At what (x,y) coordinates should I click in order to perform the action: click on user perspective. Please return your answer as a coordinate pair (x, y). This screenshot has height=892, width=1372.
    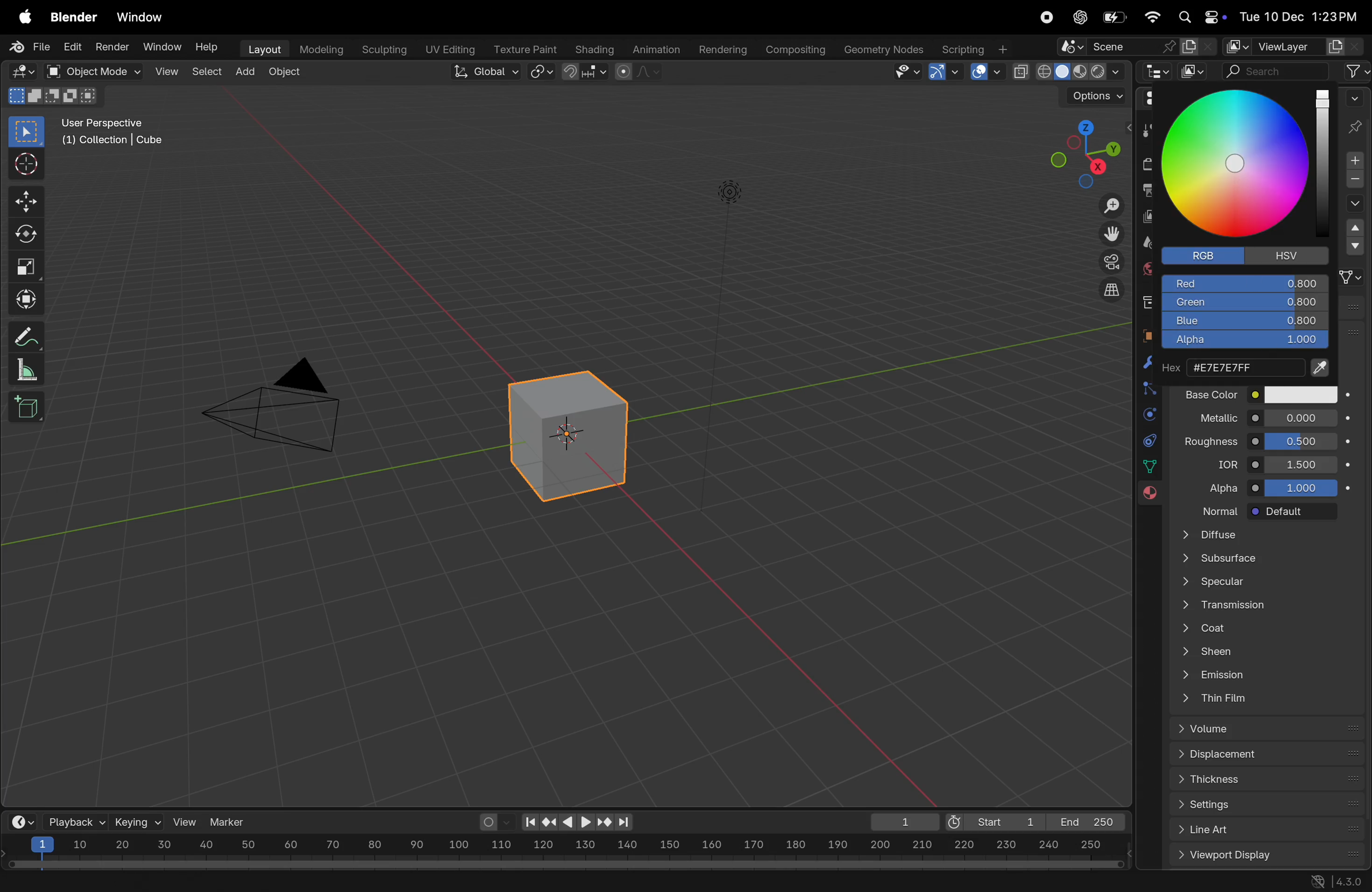
    Looking at the image, I should click on (119, 131).